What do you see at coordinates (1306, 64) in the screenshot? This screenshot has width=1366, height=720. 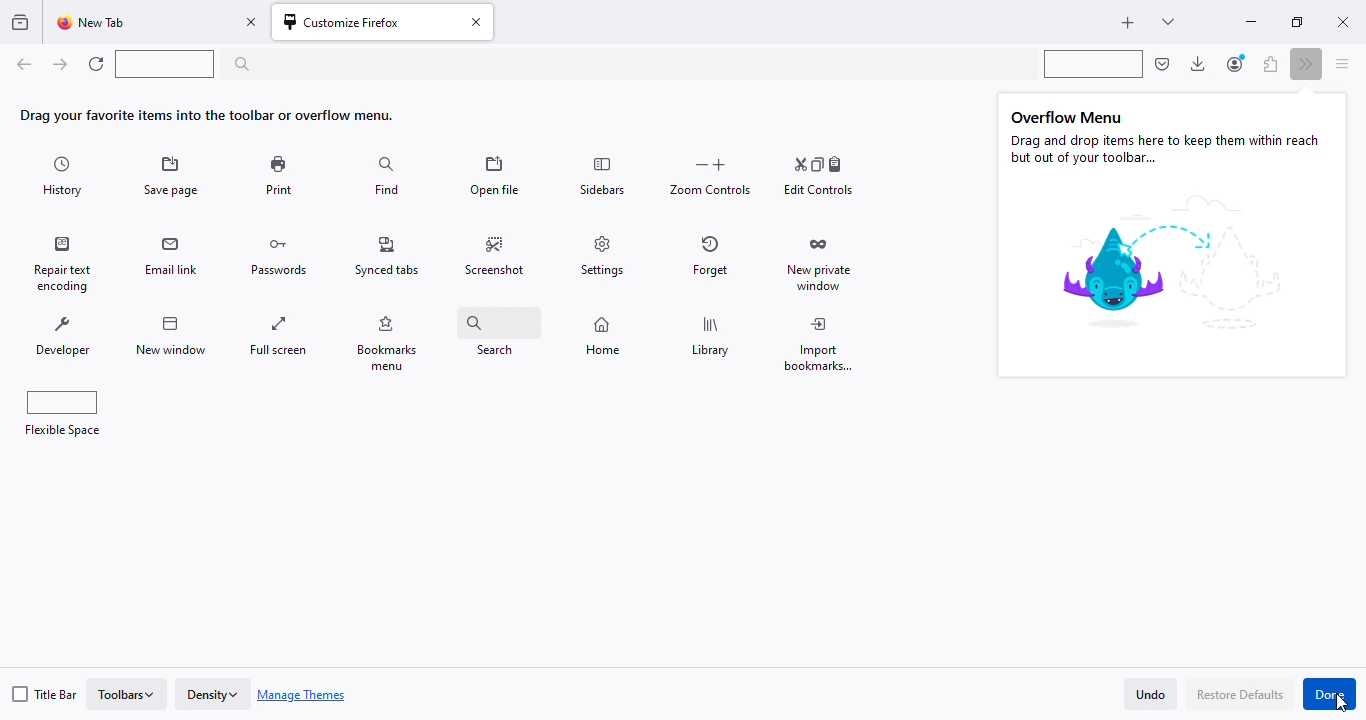 I see `more tools` at bounding box center [1306, 64].